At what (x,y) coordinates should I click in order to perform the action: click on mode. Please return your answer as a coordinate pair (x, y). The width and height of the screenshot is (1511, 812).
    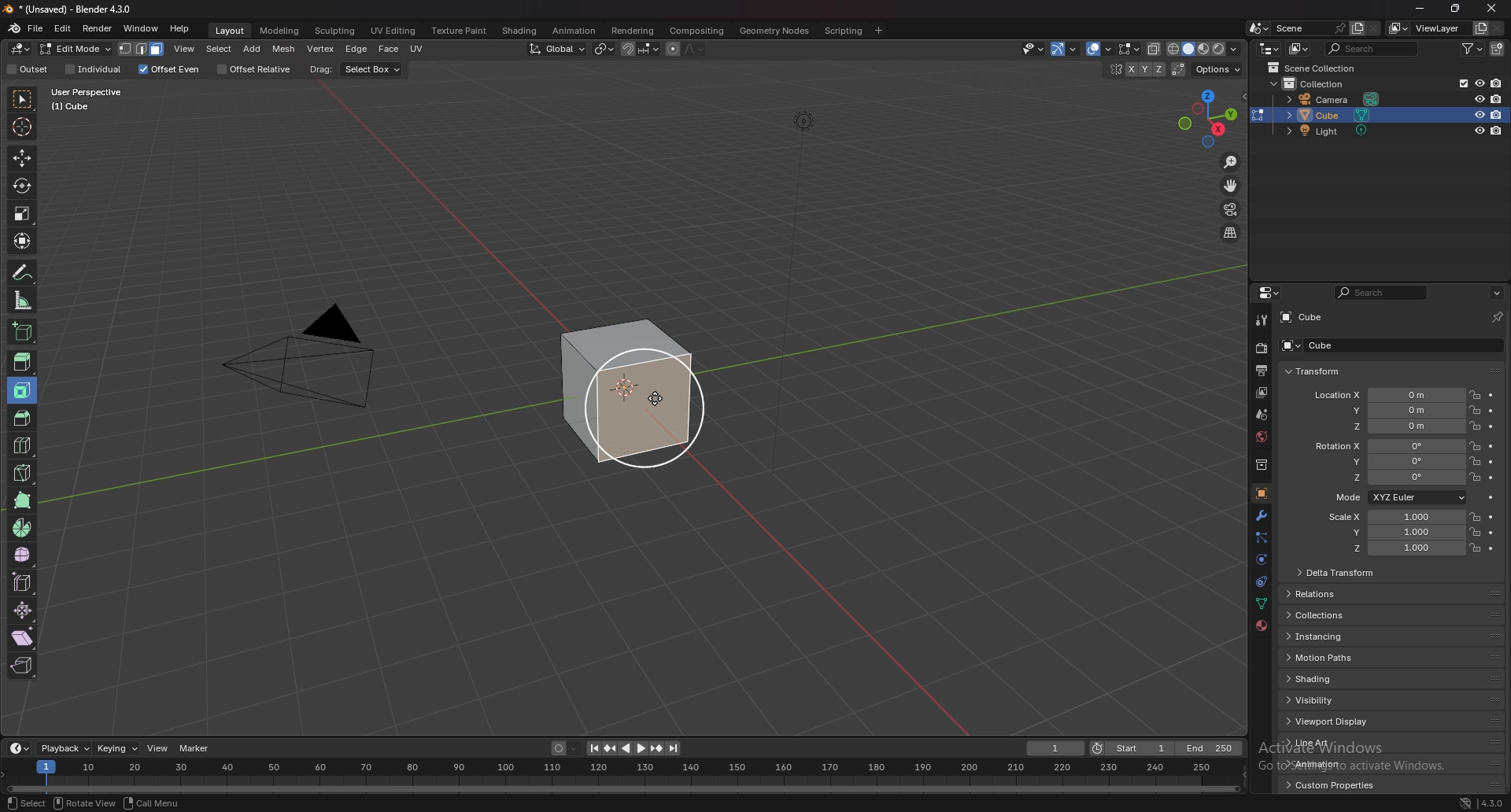
    Looking at the image, I should click on (1398, 496).